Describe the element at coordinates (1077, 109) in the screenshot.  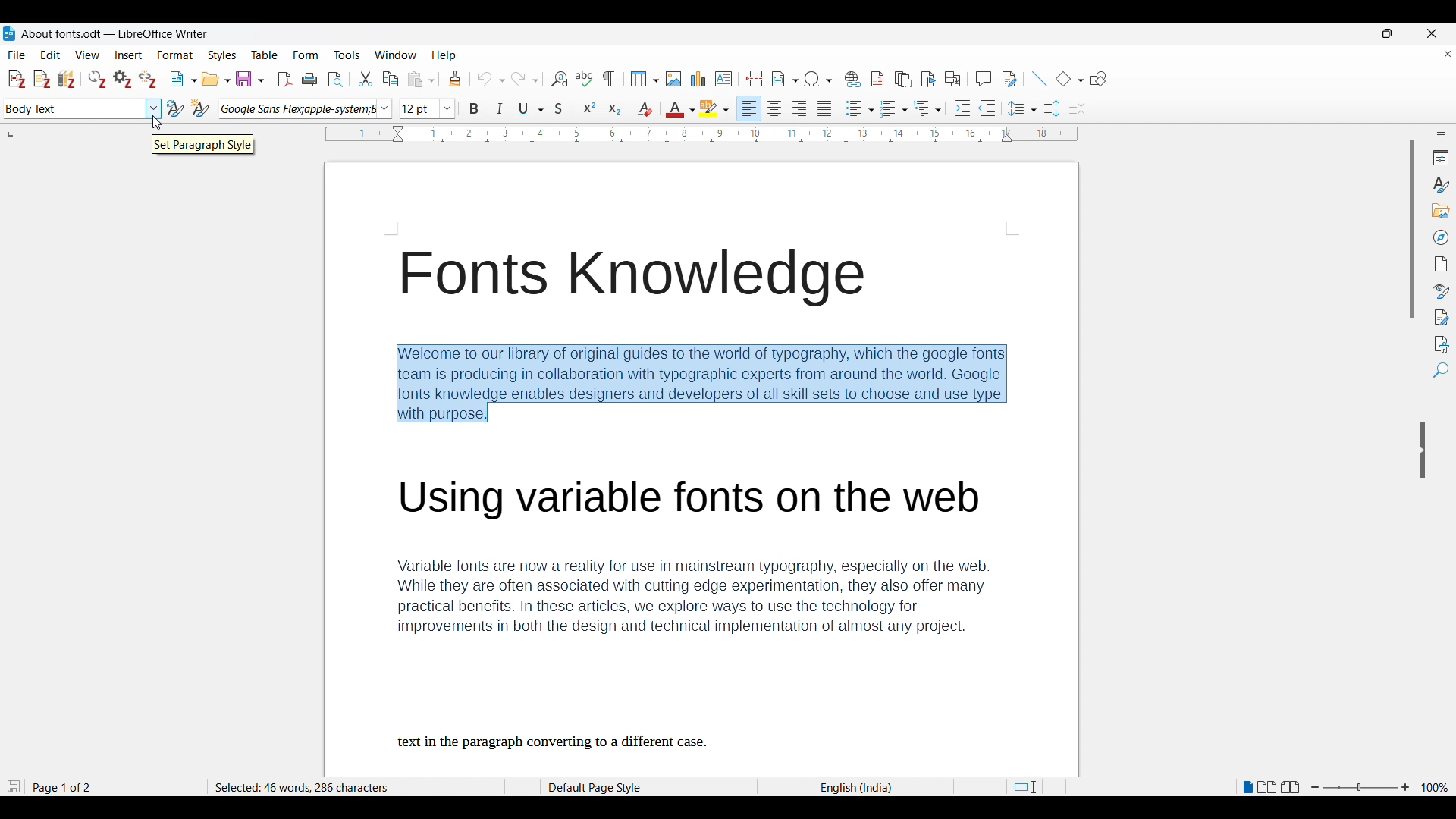
I see `Decrease paragraph spacing` at that location.